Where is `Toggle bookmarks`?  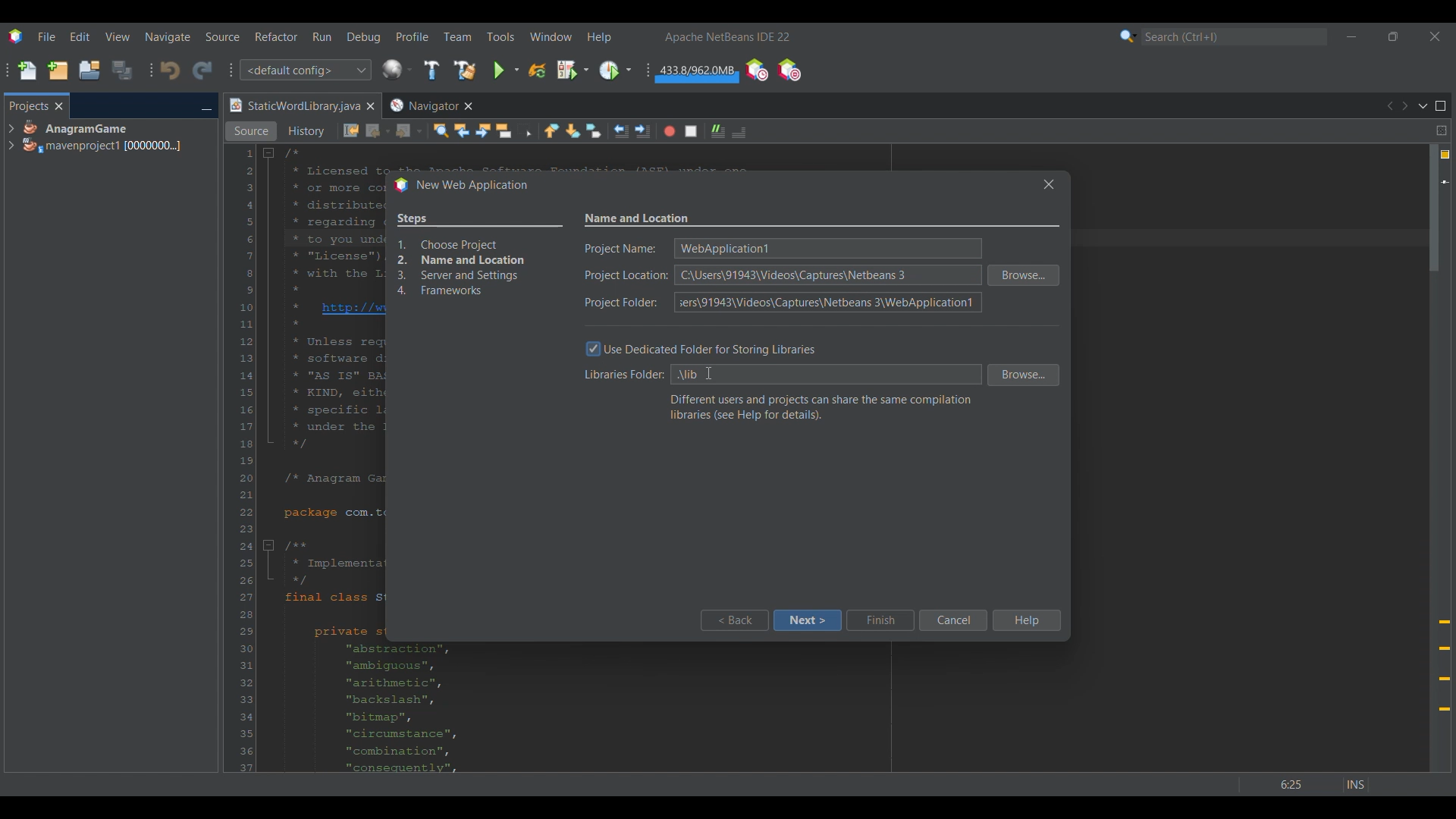 Toggle bookmarks is located at coordinates (593, 130).